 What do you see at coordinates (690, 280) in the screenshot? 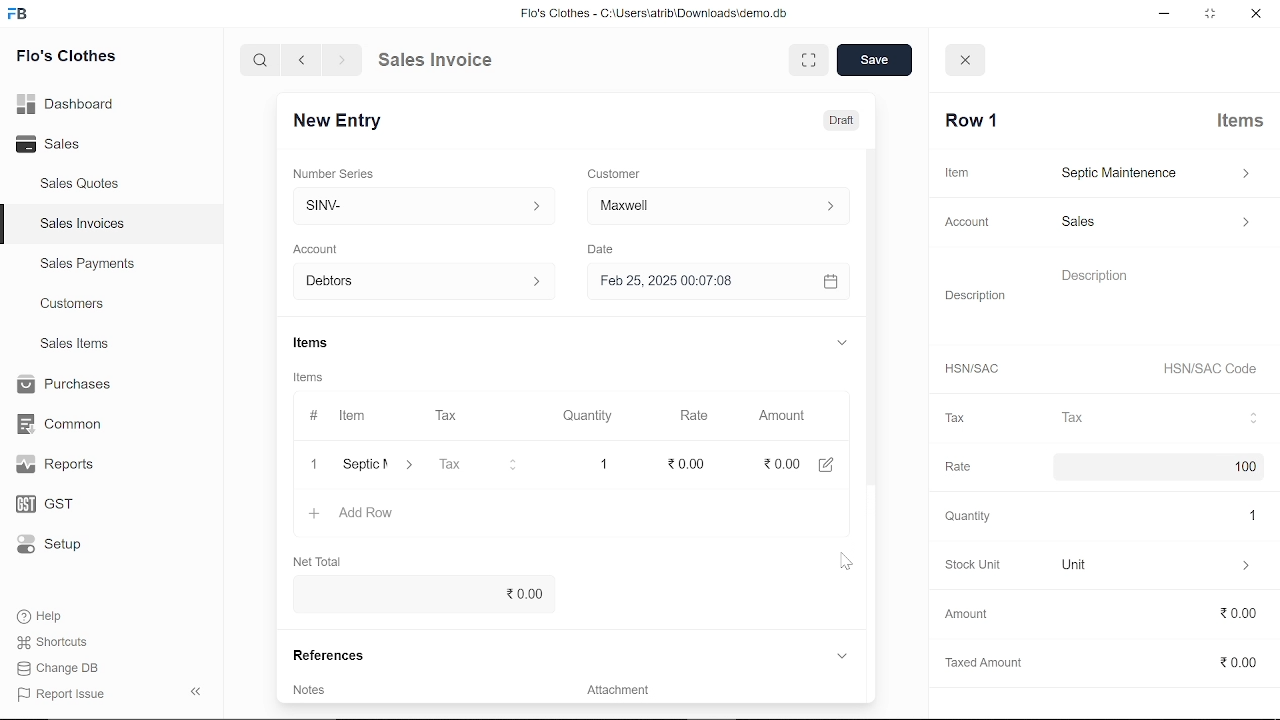
I see `H Feb 25, 2025 00:07:08 ` at bounding box center [690, 280].